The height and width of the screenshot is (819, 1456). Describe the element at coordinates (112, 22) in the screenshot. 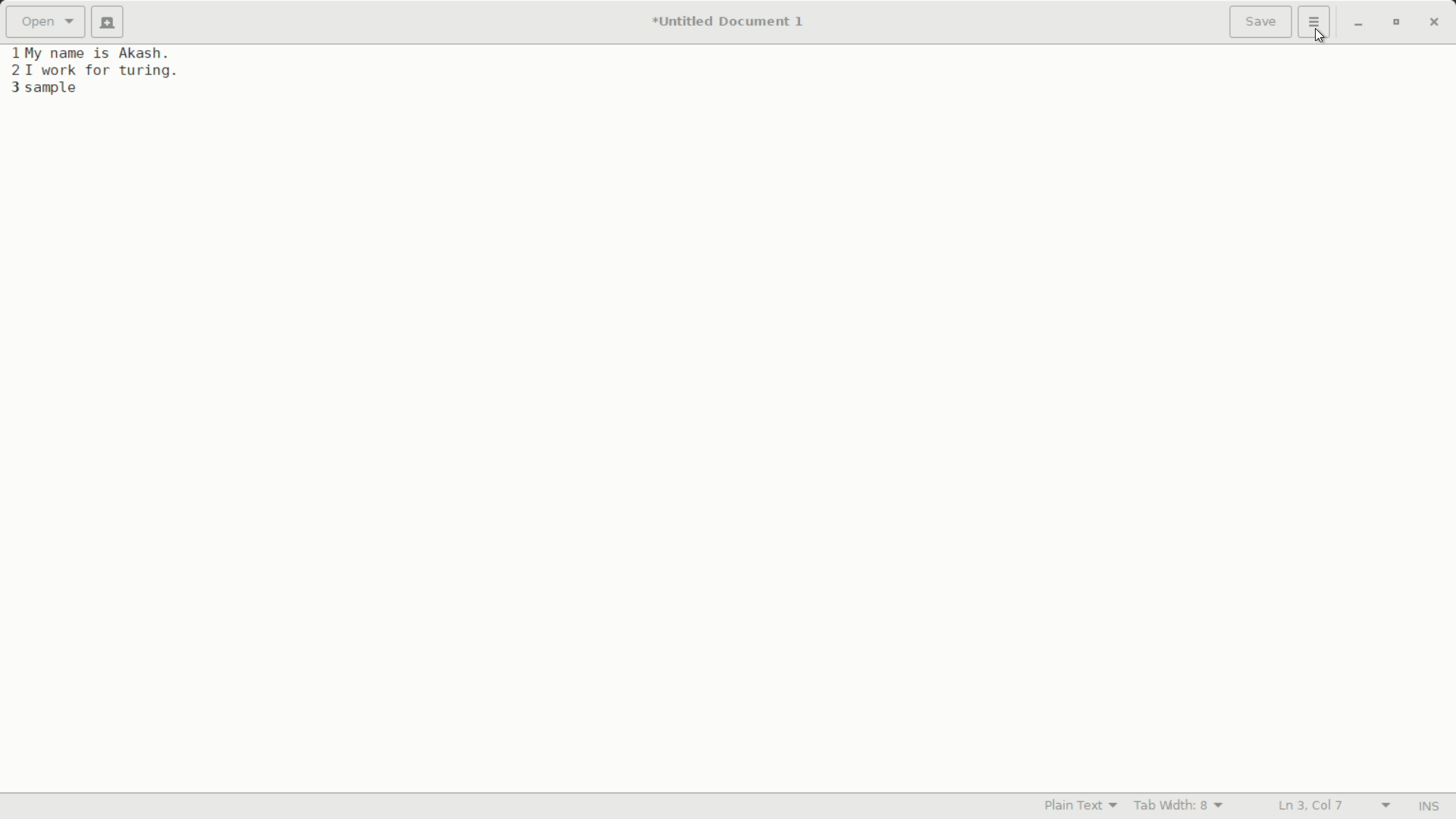

I see `new document` at that location.